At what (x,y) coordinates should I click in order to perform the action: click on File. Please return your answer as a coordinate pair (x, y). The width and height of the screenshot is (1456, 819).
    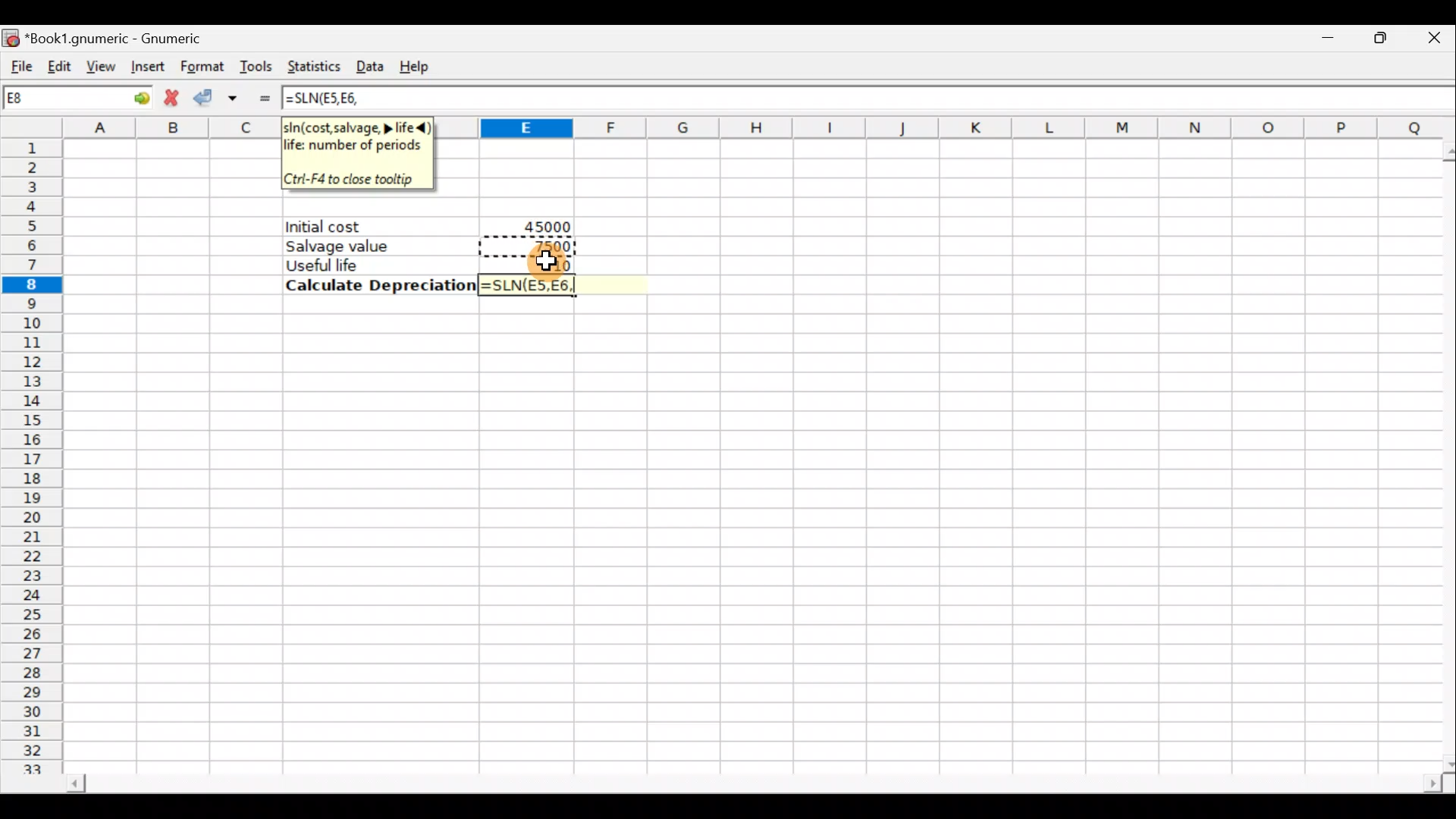
    Looking at the image, I should click on (19, 61).